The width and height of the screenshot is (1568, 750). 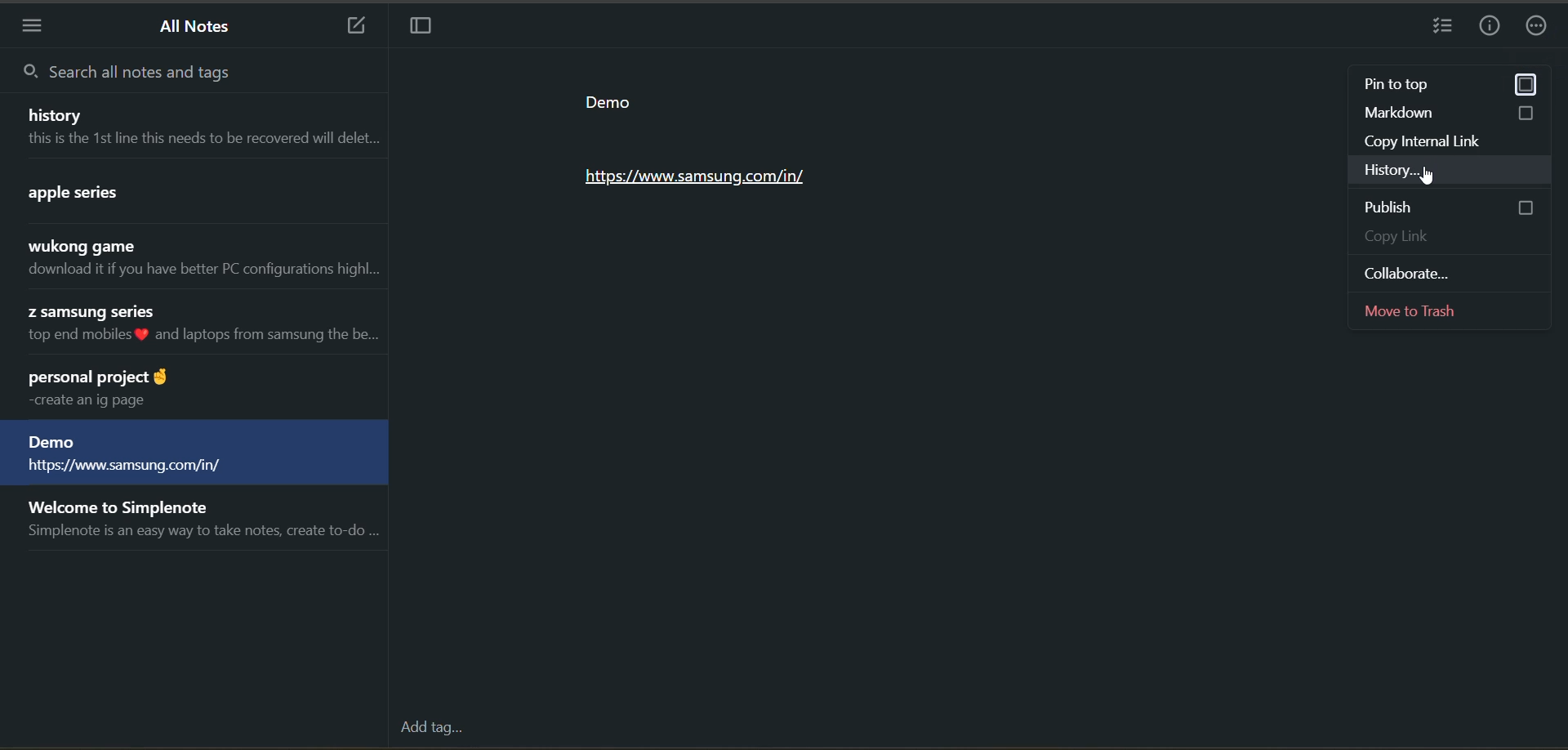 I want to click on note title and preview, so click(x=199, y=260).